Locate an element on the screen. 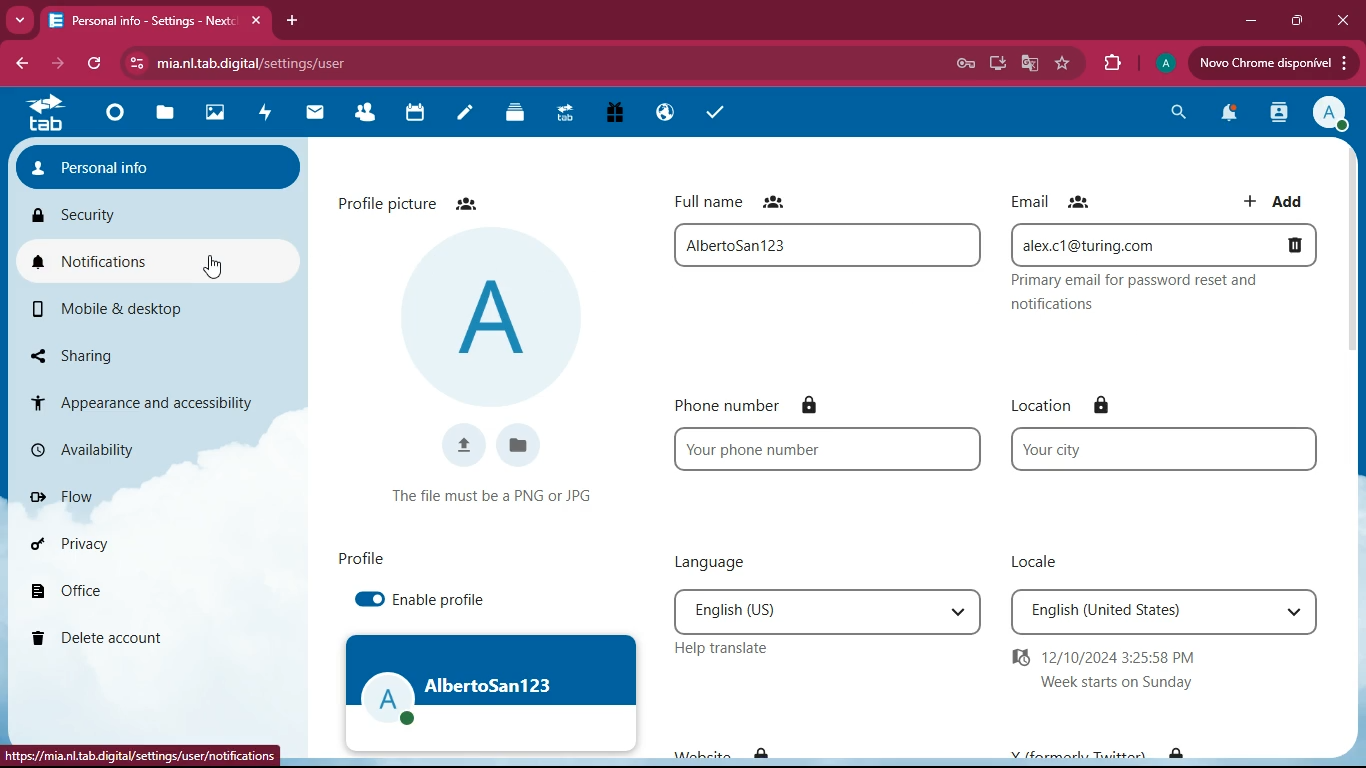 The width and height of the screenshot is (1366, 768). scroll bar is located at coordinates (1353, 249).